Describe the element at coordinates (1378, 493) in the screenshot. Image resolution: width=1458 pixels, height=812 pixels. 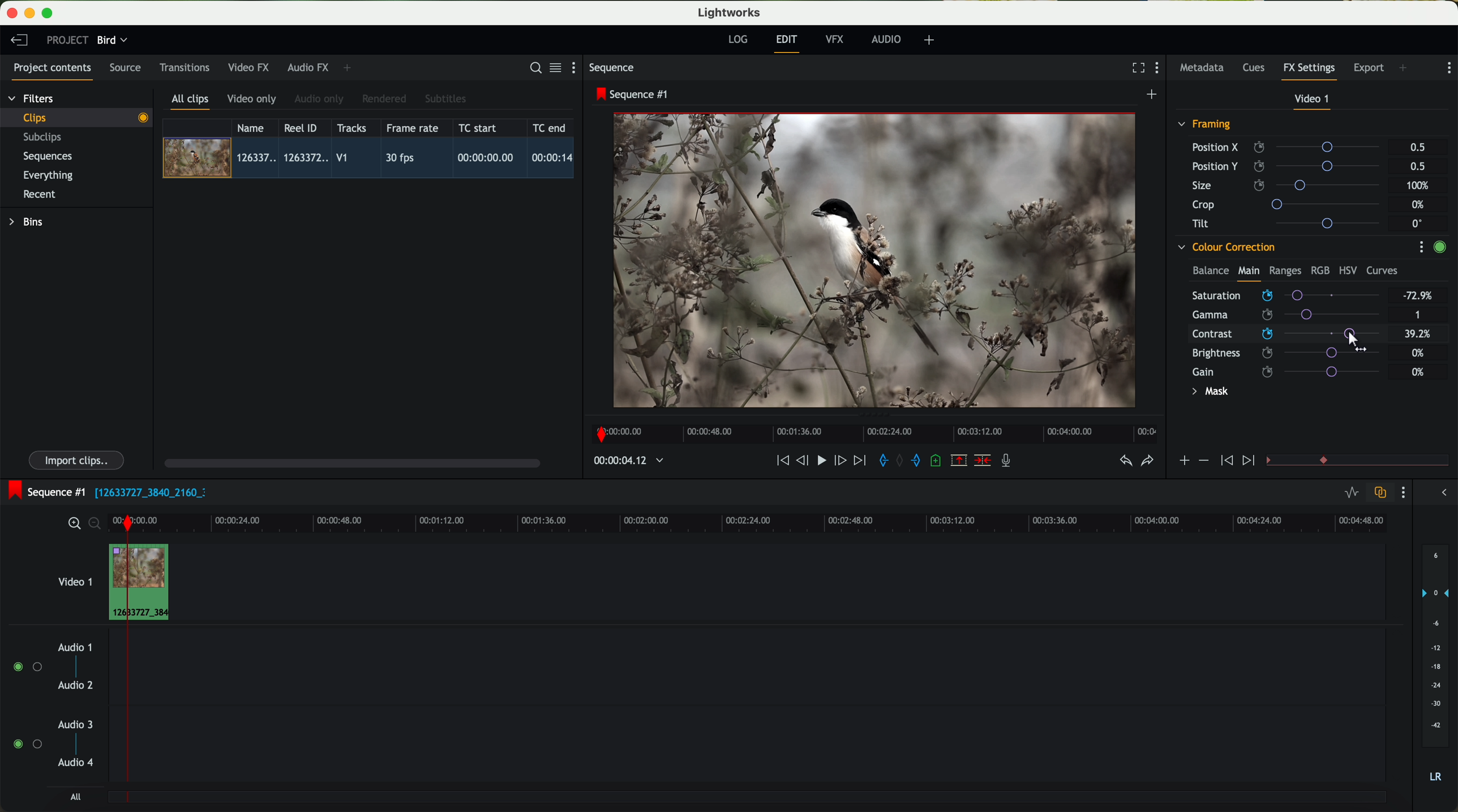
I see `toggle auto track sync` at that location.